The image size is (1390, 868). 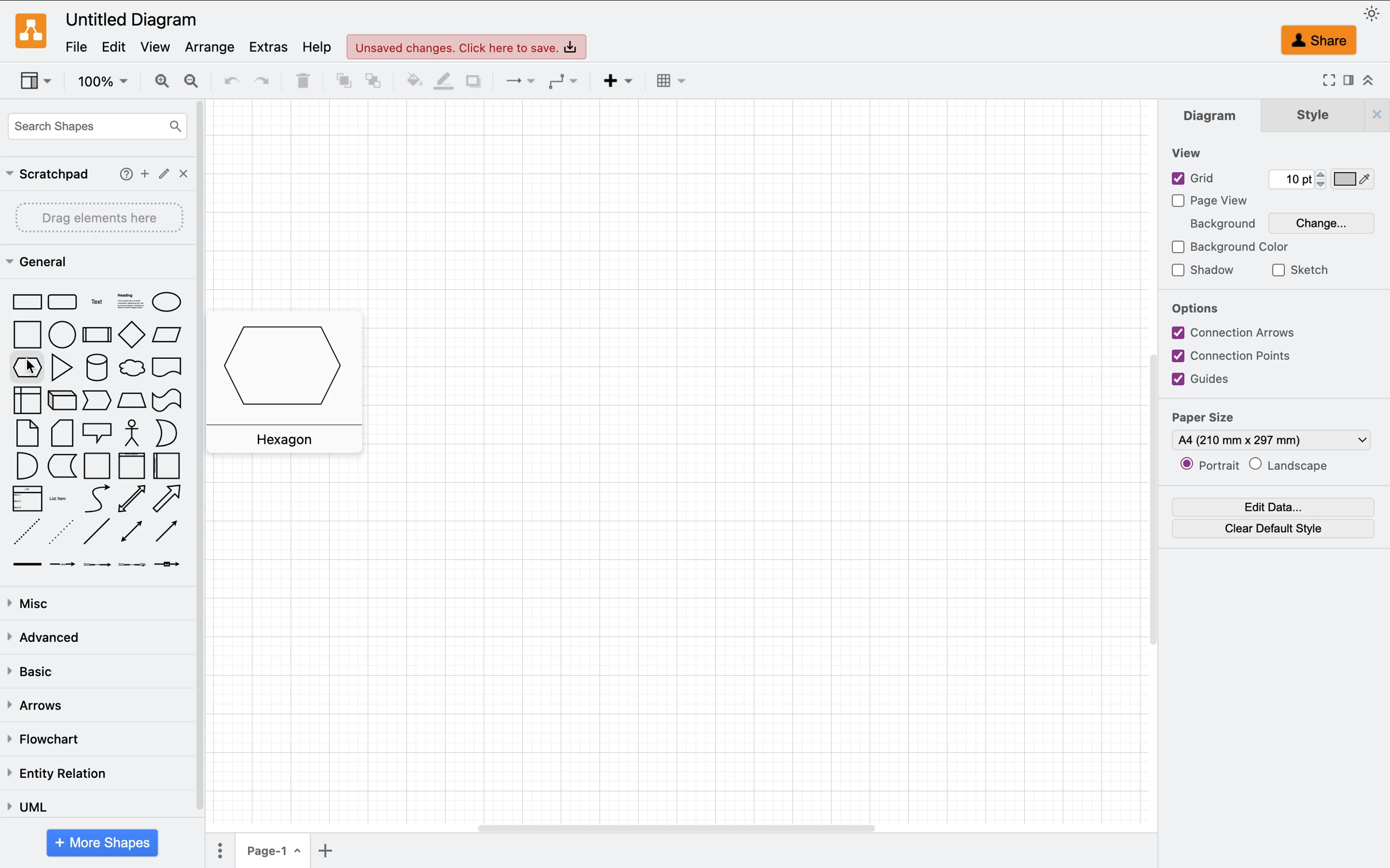 What do you see at coordinates (472, 80) in the screenshot?
I see `shadow` at bounding box center [472, 80].